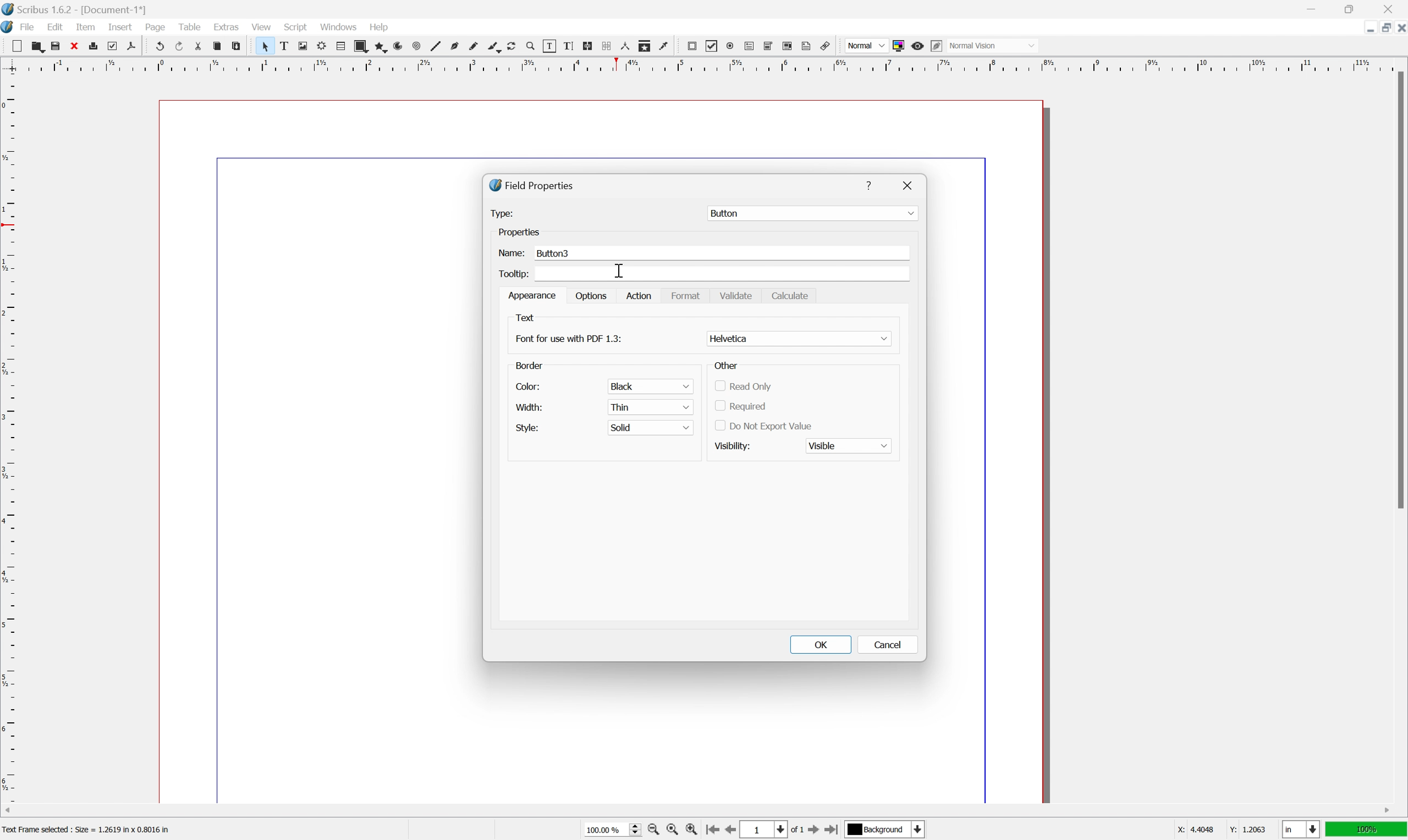  I want to click on page, so click(156, 28).